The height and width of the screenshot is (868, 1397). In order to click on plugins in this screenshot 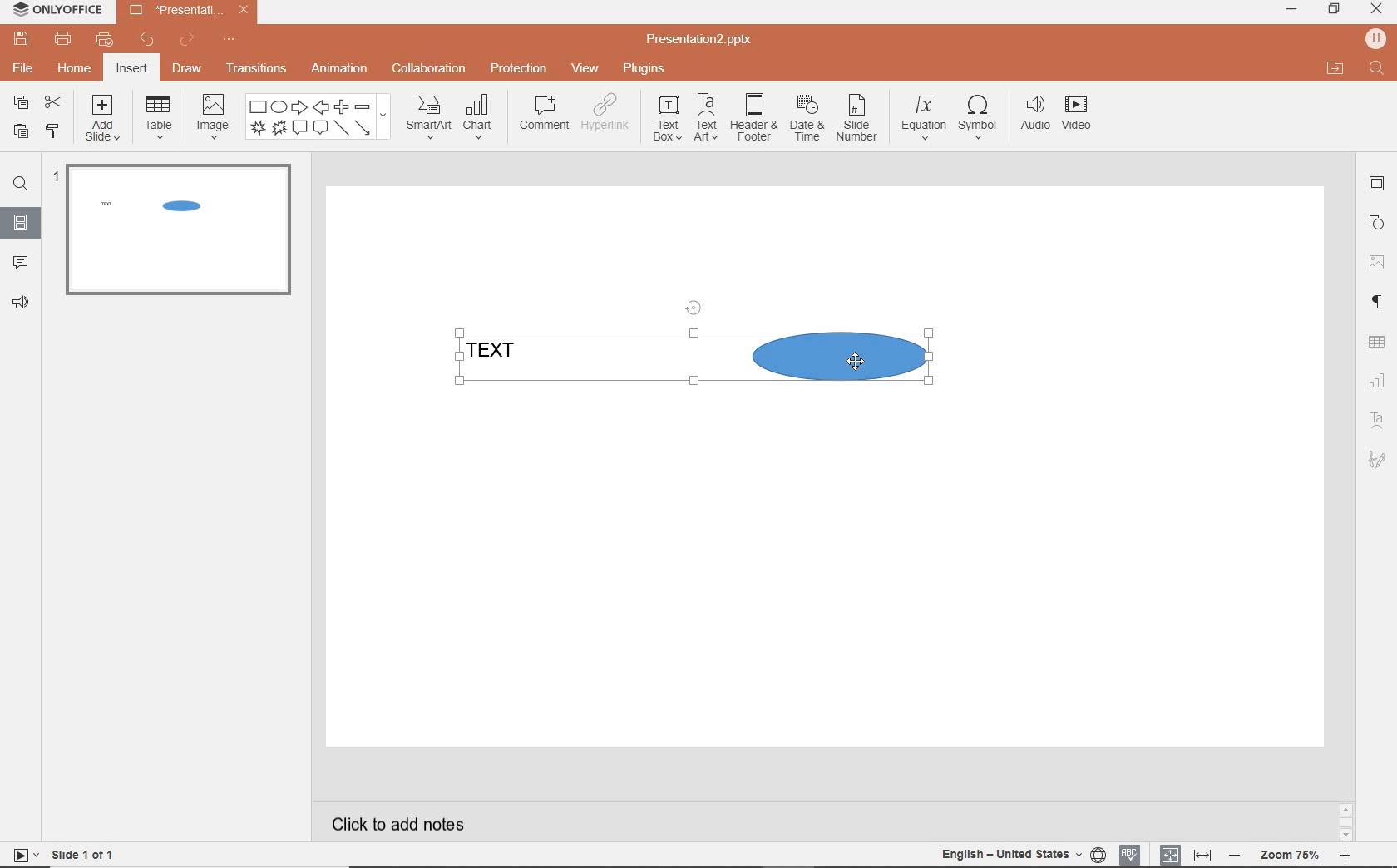, I will do `click(643, 70)`.